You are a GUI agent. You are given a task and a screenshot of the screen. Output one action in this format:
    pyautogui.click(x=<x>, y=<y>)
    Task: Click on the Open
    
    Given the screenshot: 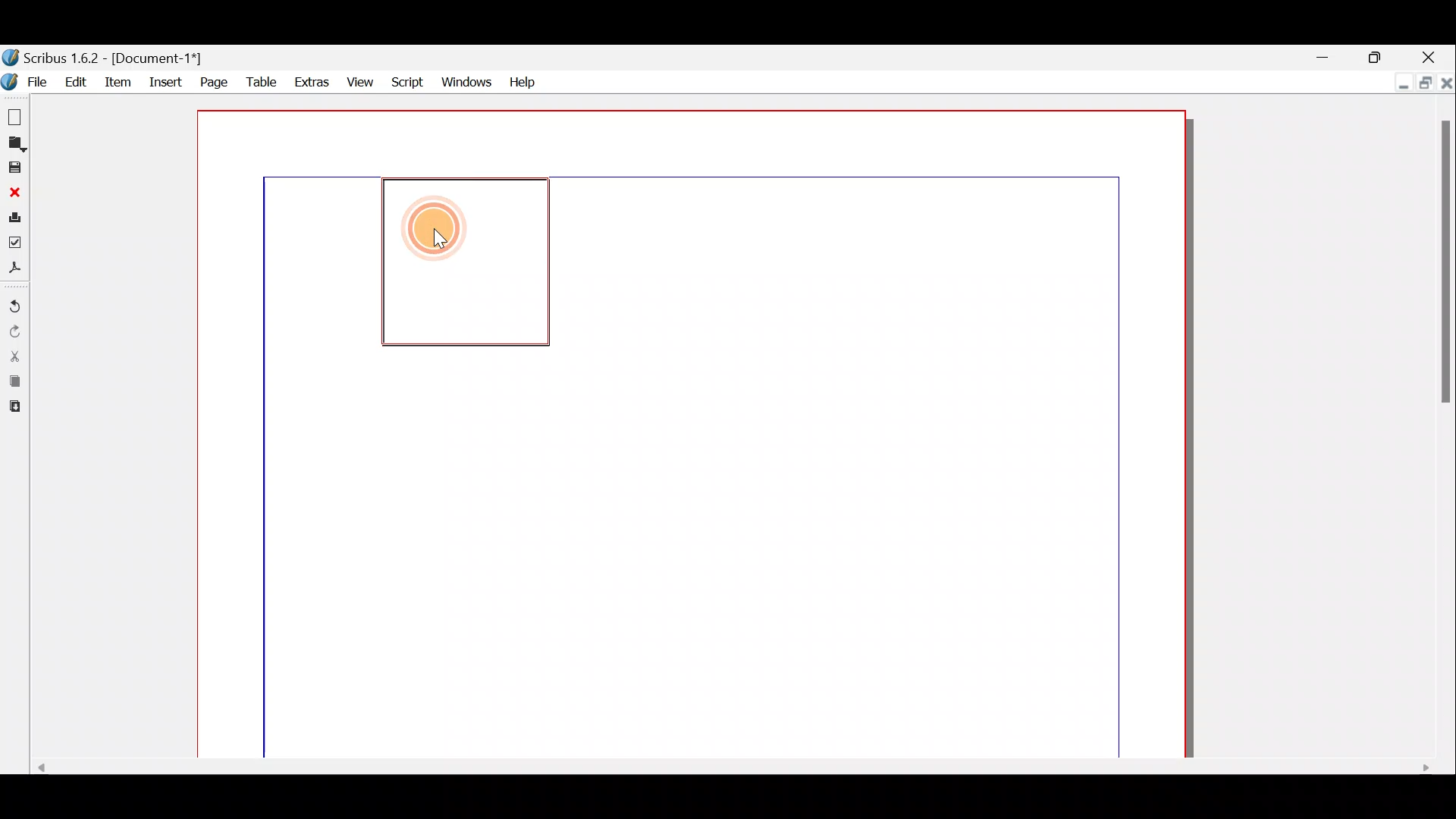 What is the action you would take?
    pyautogui.click(x=14, y=145)
    